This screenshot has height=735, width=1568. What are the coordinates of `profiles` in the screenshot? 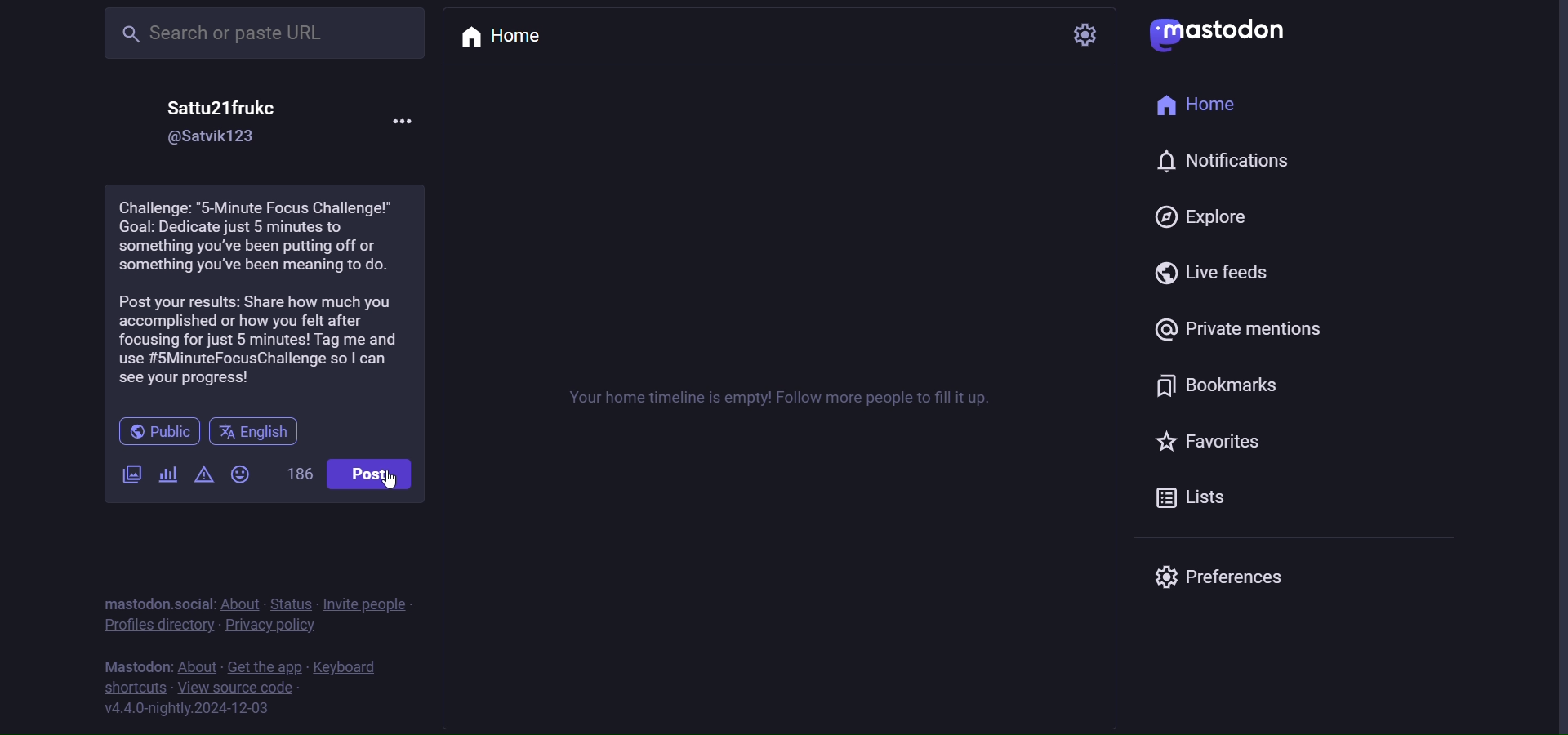 It's located at (157, 627).